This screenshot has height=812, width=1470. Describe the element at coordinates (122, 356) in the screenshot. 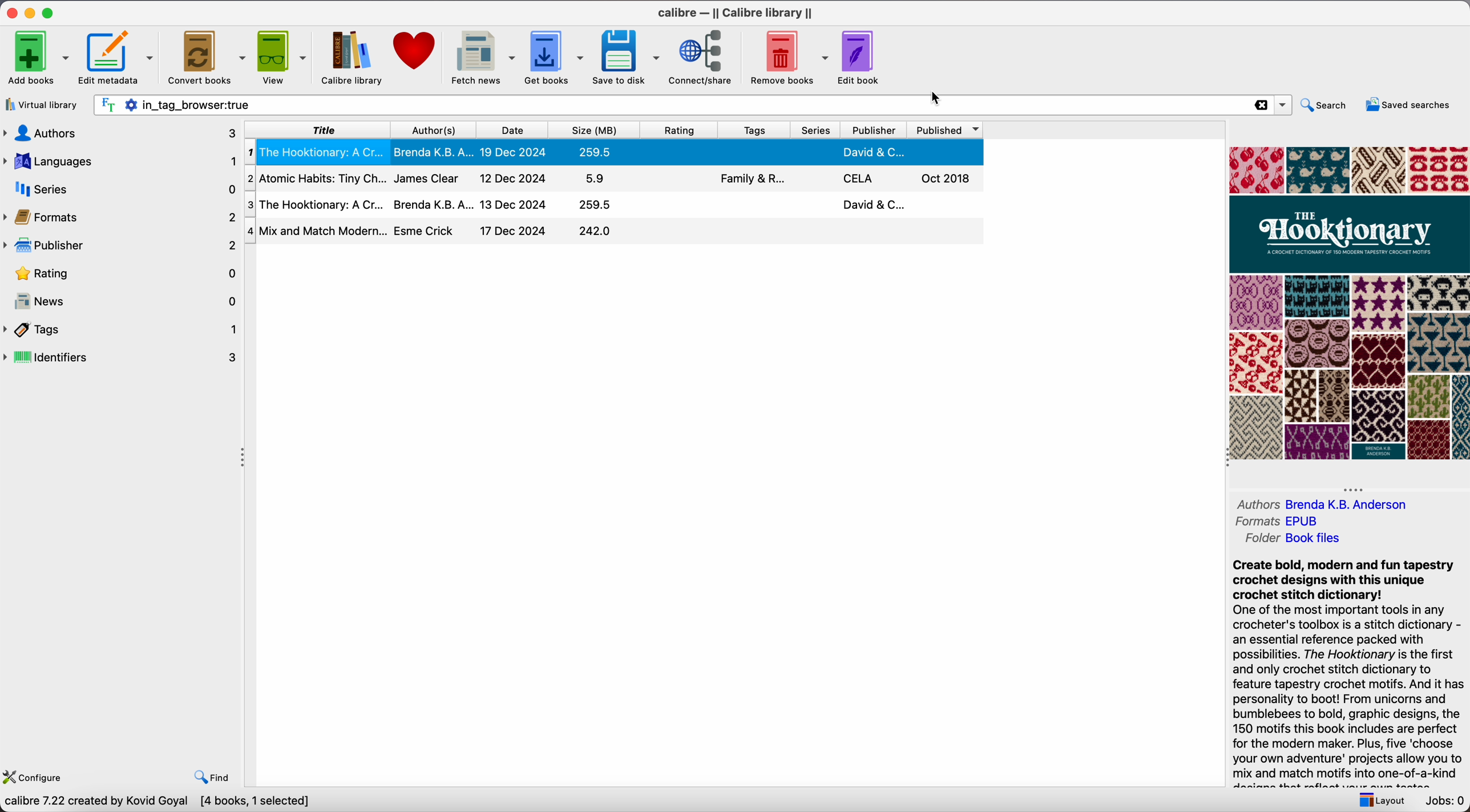

I see `identifiers` at that location.